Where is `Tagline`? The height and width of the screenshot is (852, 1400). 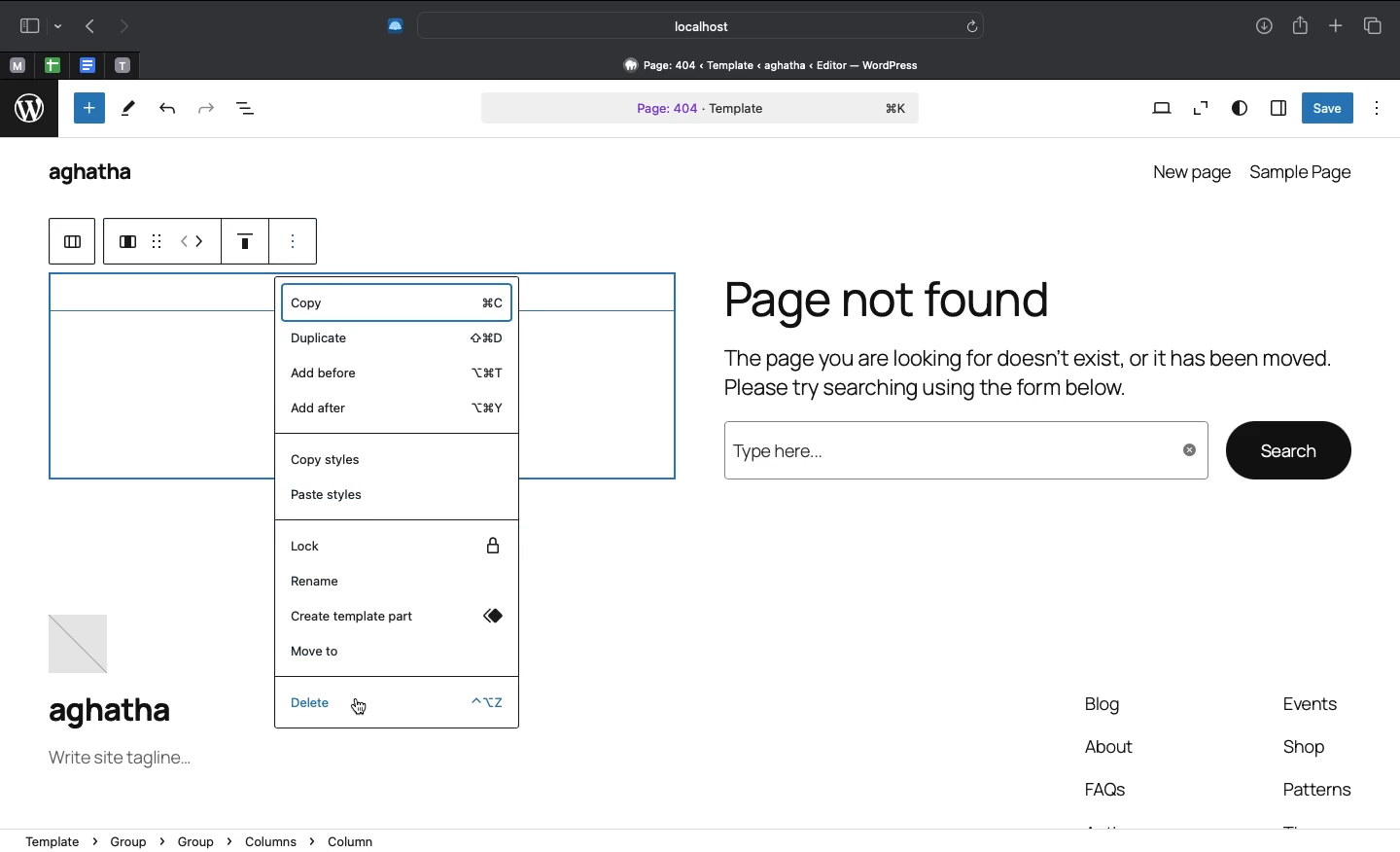 Tagline is located at coordinates (124, 759).